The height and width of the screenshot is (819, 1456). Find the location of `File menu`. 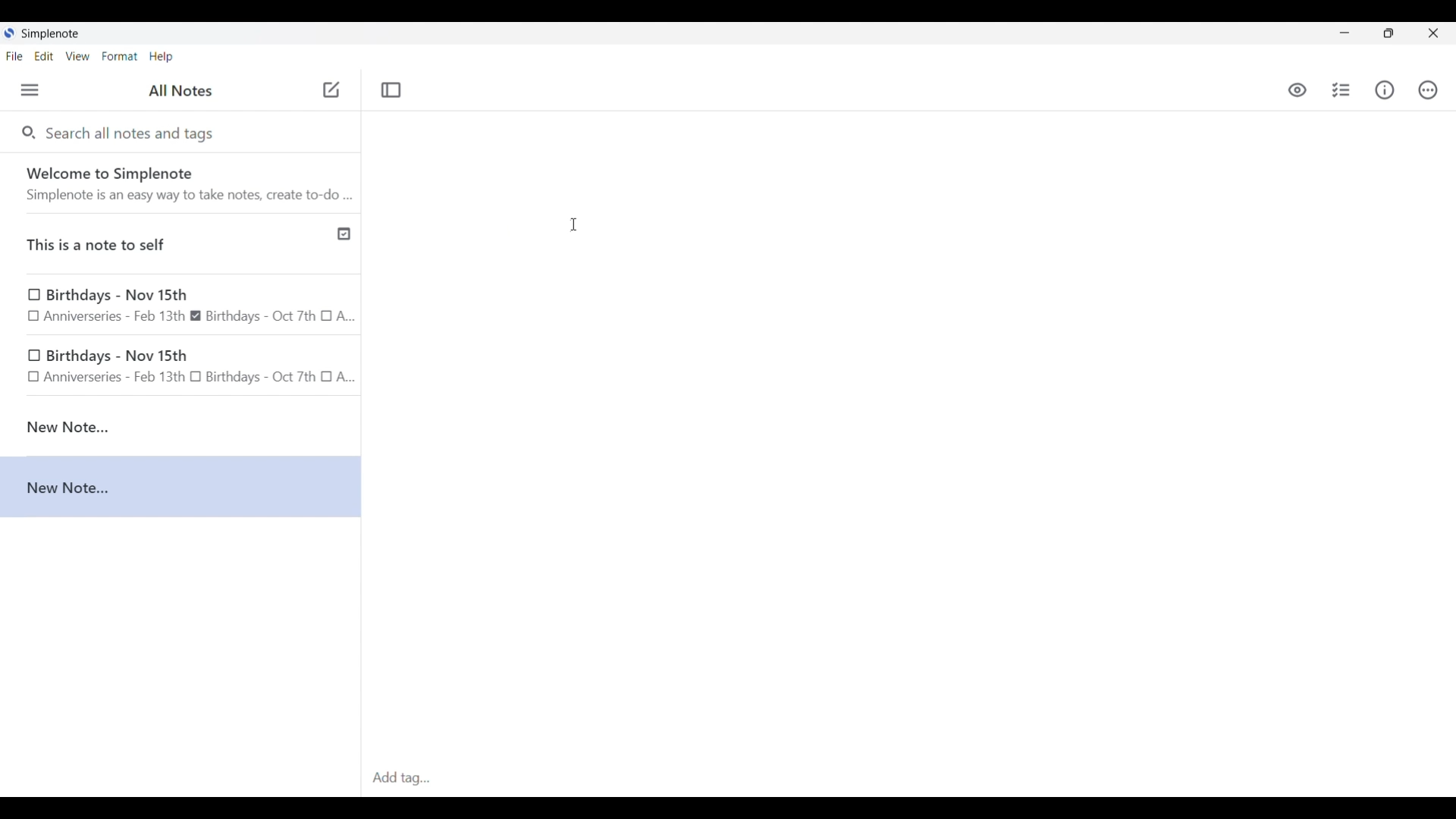

File menu is located at coordinates (14, 55).